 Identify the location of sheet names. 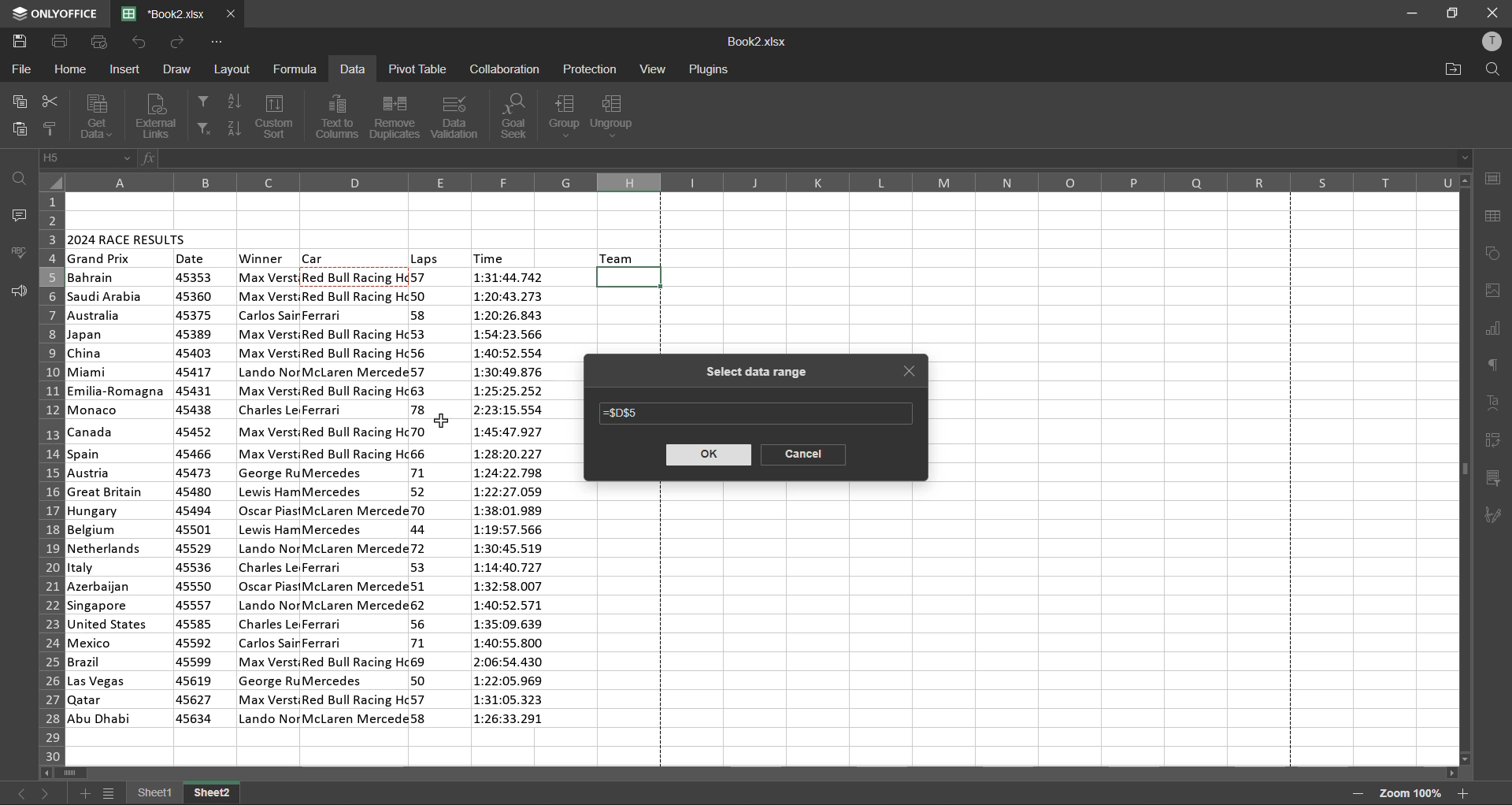
(184, 795).